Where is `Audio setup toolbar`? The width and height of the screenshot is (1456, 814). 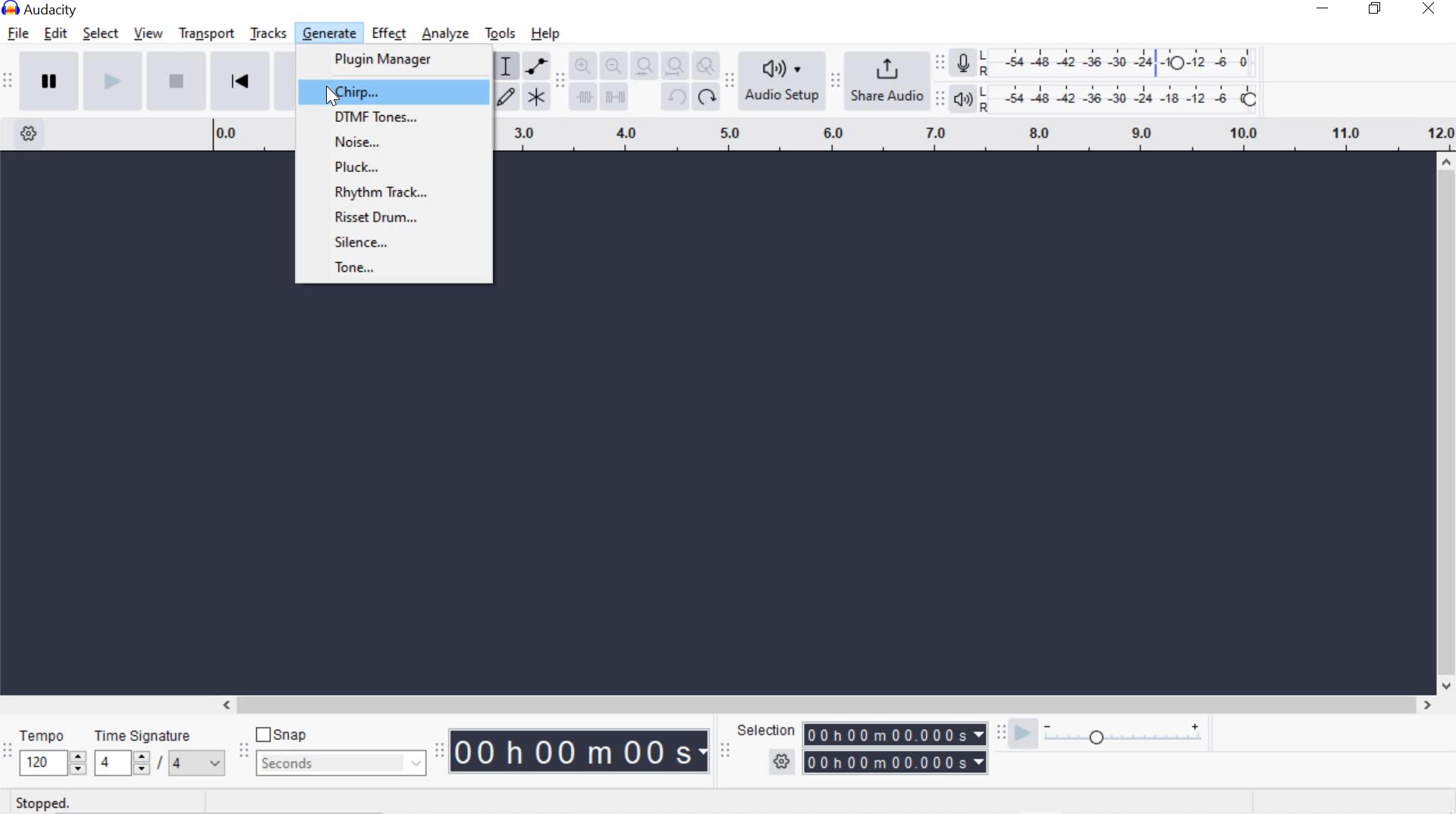 Audio setup toolbar is located at coordinates (727, 81).